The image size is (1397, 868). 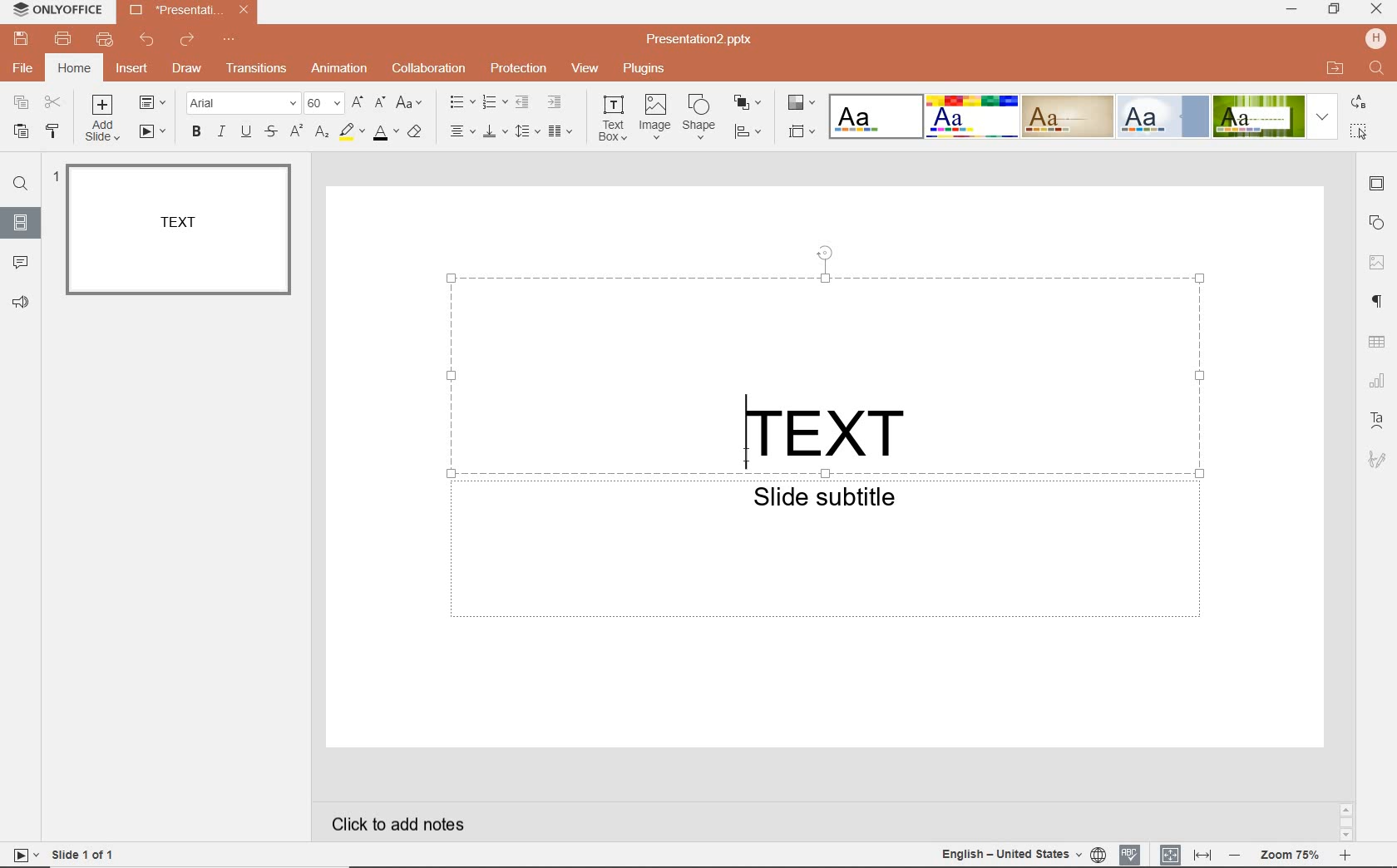 I want to click on line spacing, so click(x=527, y=131).